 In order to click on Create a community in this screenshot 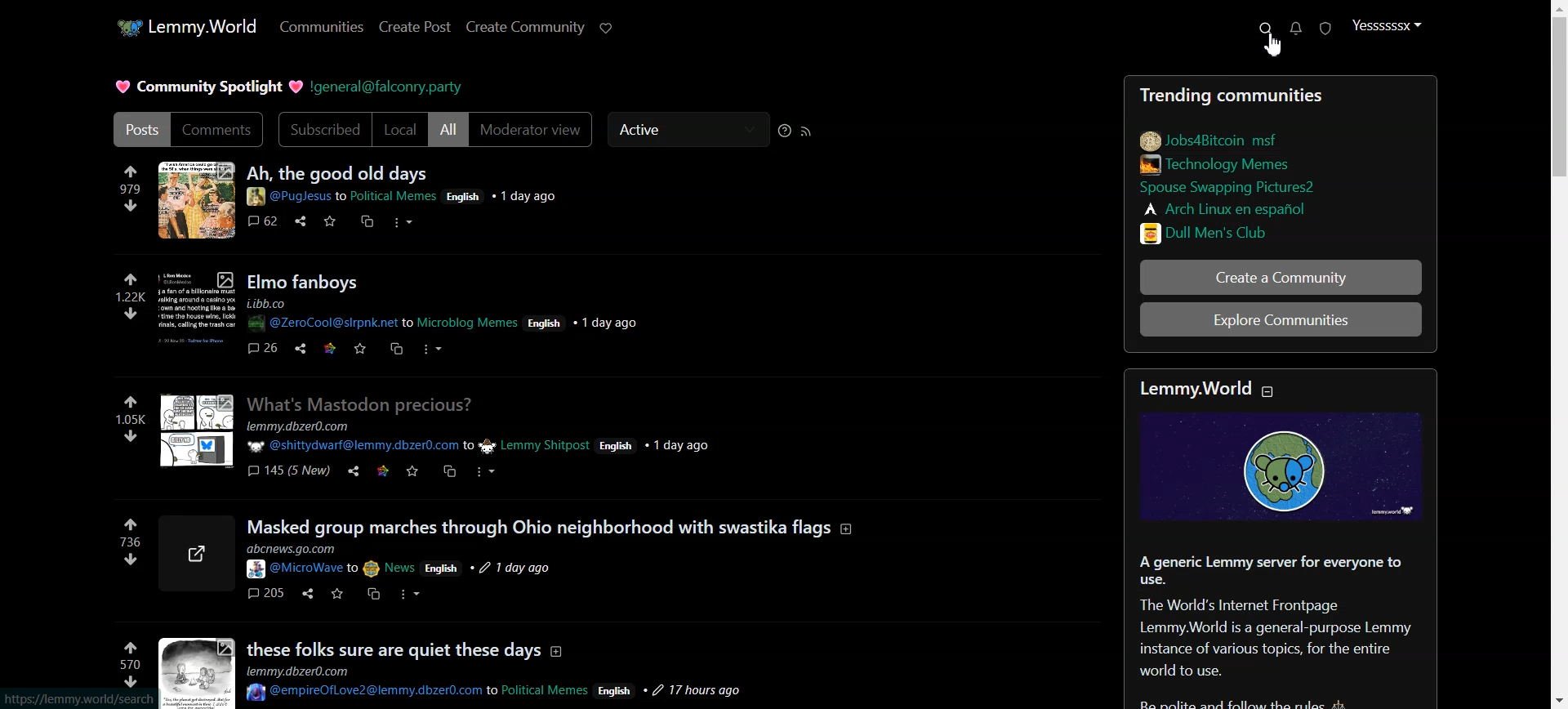, I will do `click(1282, 276)`.